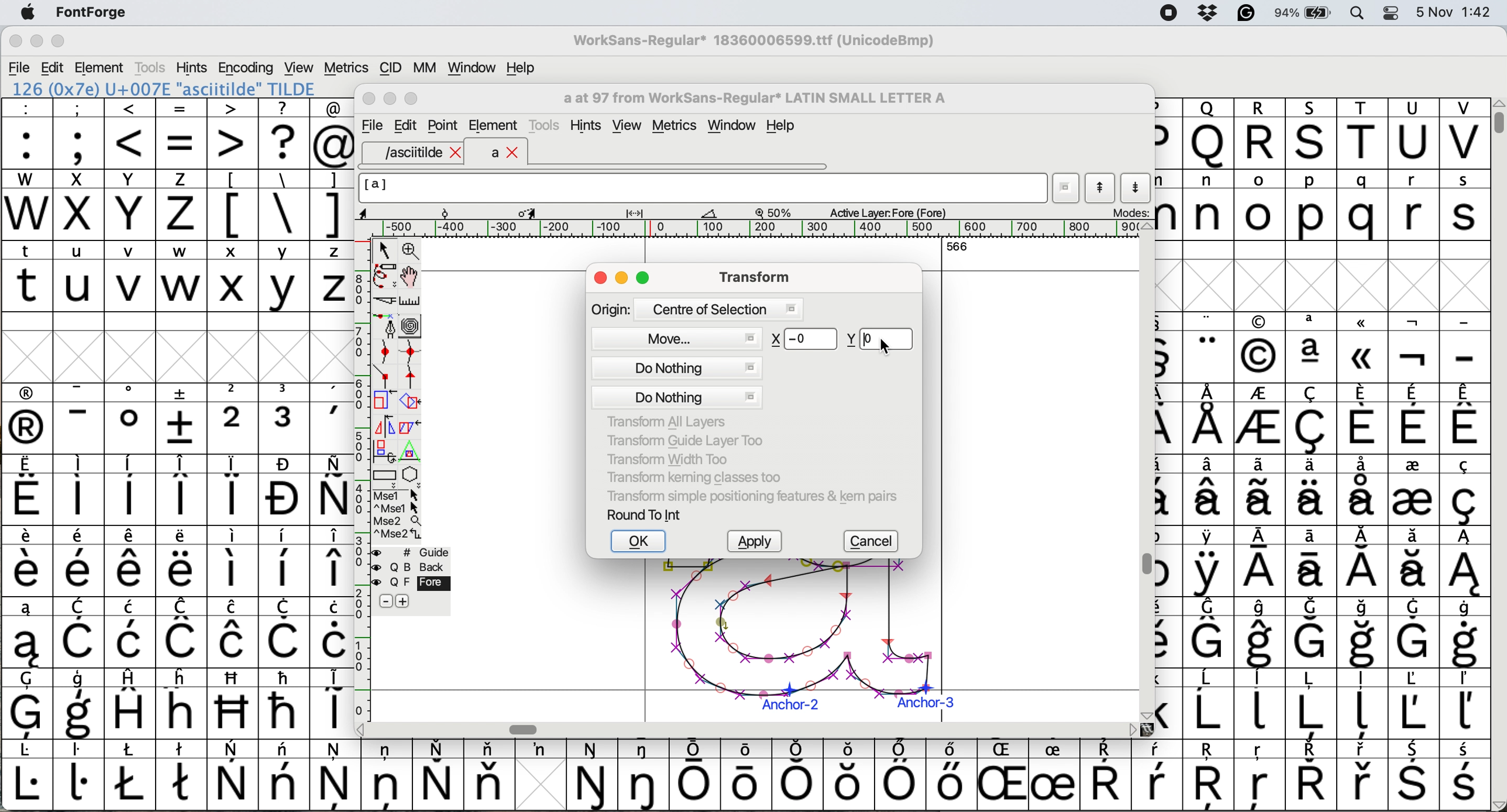 This screenshot has width=1507, height=812. I want to click on WorkSans-Regular 18360006599.ttf (UnicodeBmp), so click(754, 43).